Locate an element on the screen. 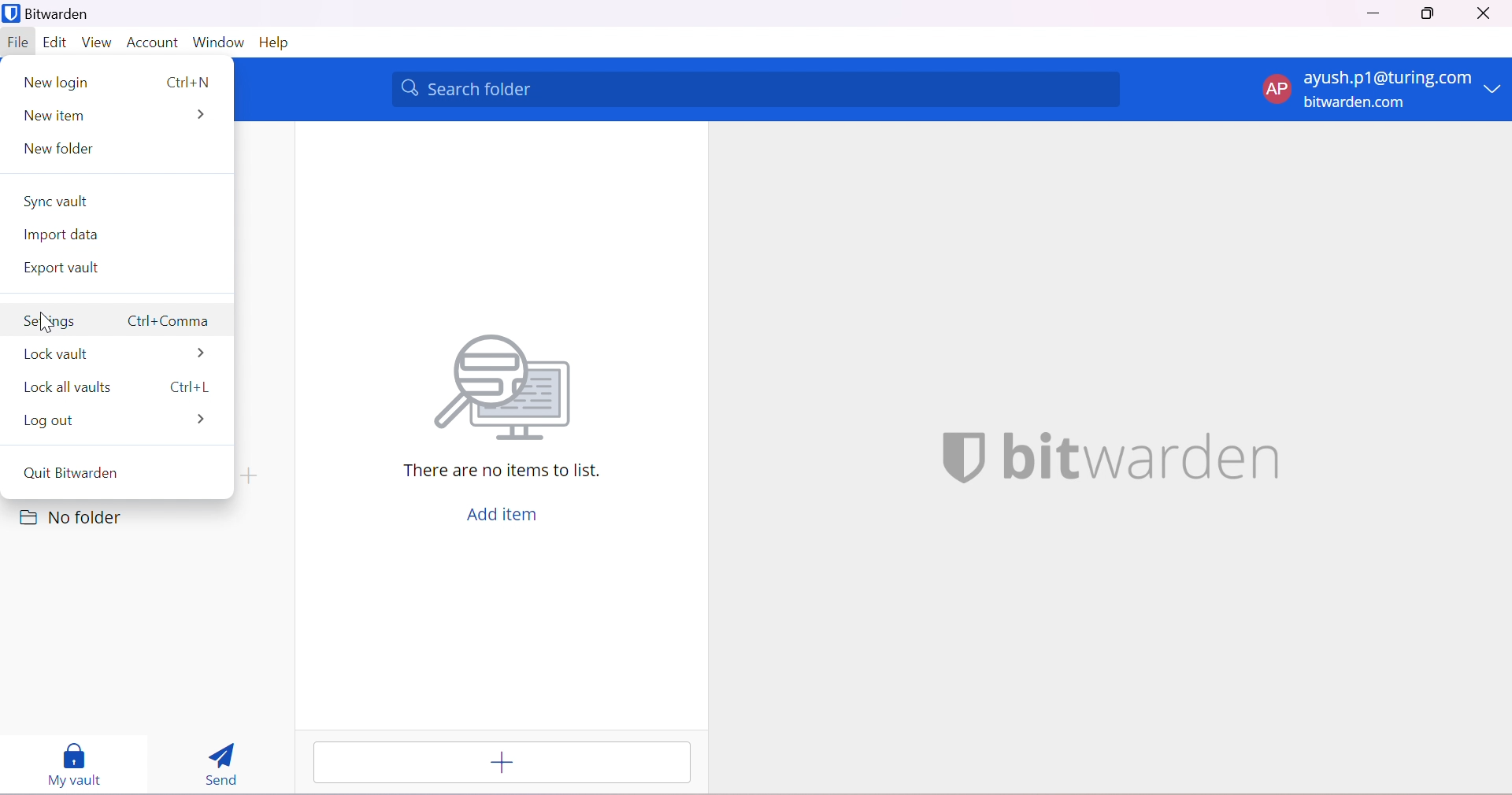  More is located at coordinates (199, 113).